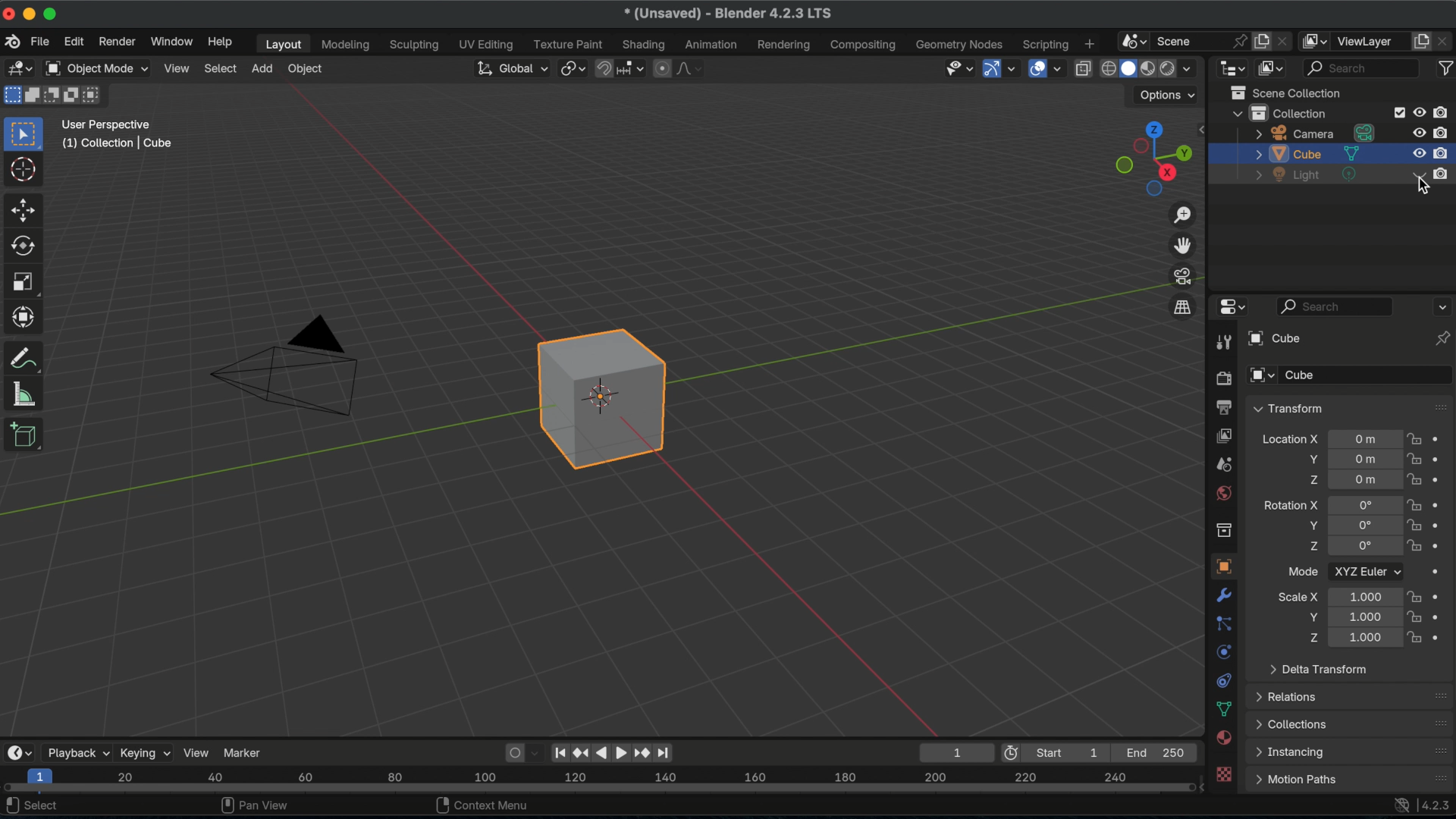 The height and width of the screenshot is (819, 1456). What do you see at coordinates (1445, 43) in the screenshot?
I see `remove view layer` at bounding box center [1445, 43].